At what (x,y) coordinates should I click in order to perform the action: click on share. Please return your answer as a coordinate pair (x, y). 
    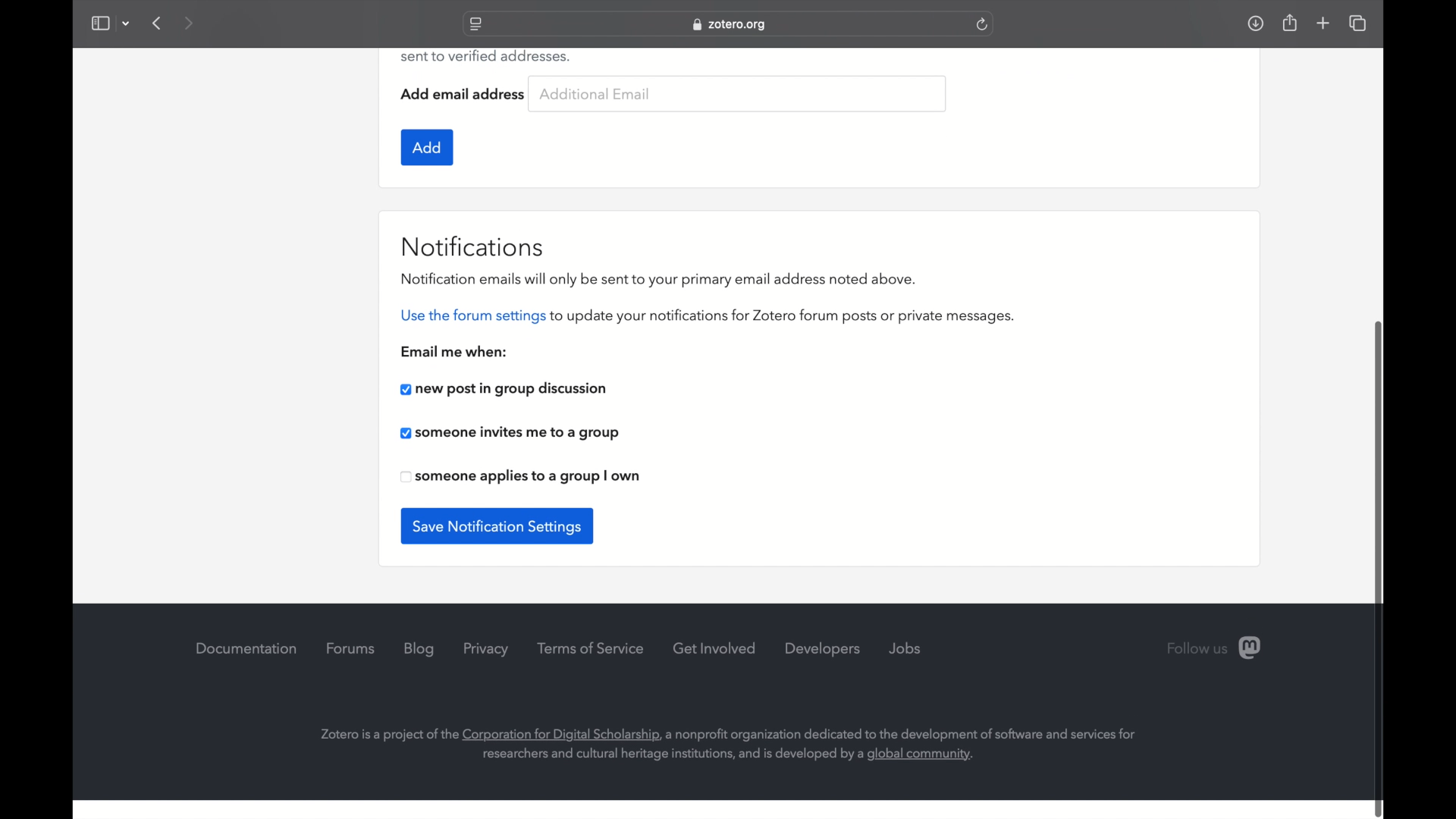
    Looking at the image, I should click on (1288, 22).